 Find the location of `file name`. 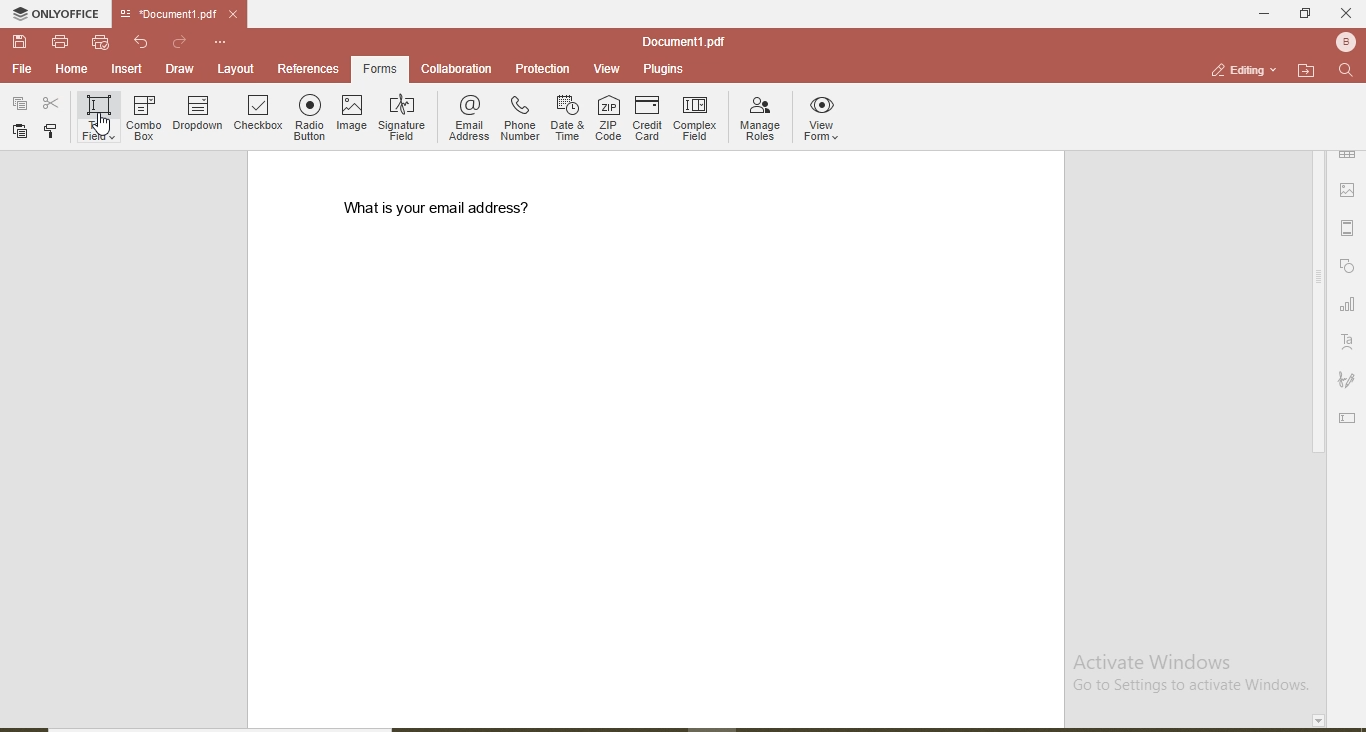

file name is located at coordinates (683, 41).